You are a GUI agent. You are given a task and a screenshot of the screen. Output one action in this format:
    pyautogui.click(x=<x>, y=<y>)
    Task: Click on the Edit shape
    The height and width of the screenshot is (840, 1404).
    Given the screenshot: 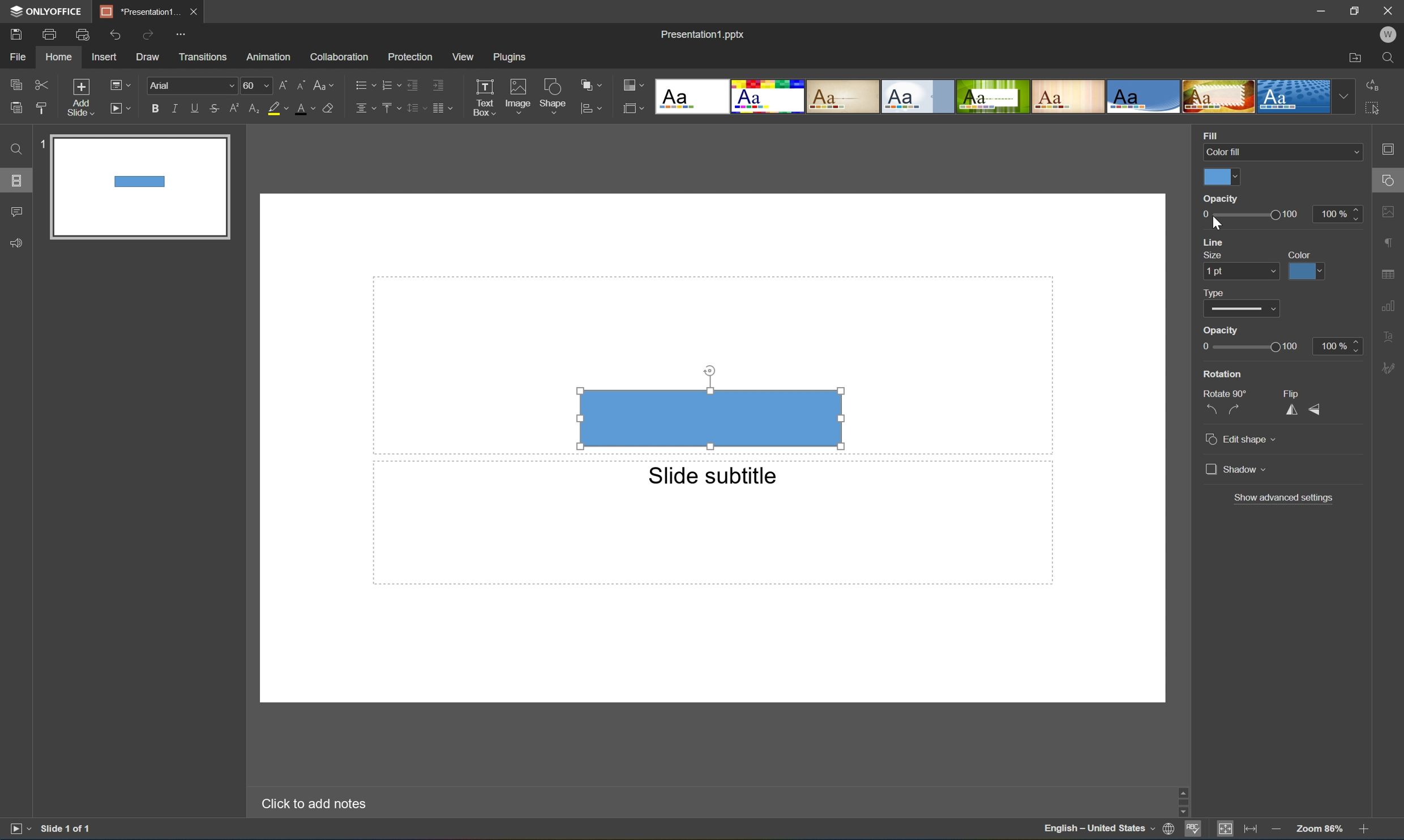 What is the action you would take?
    pyautogui.click(x=1243, y=440)
    